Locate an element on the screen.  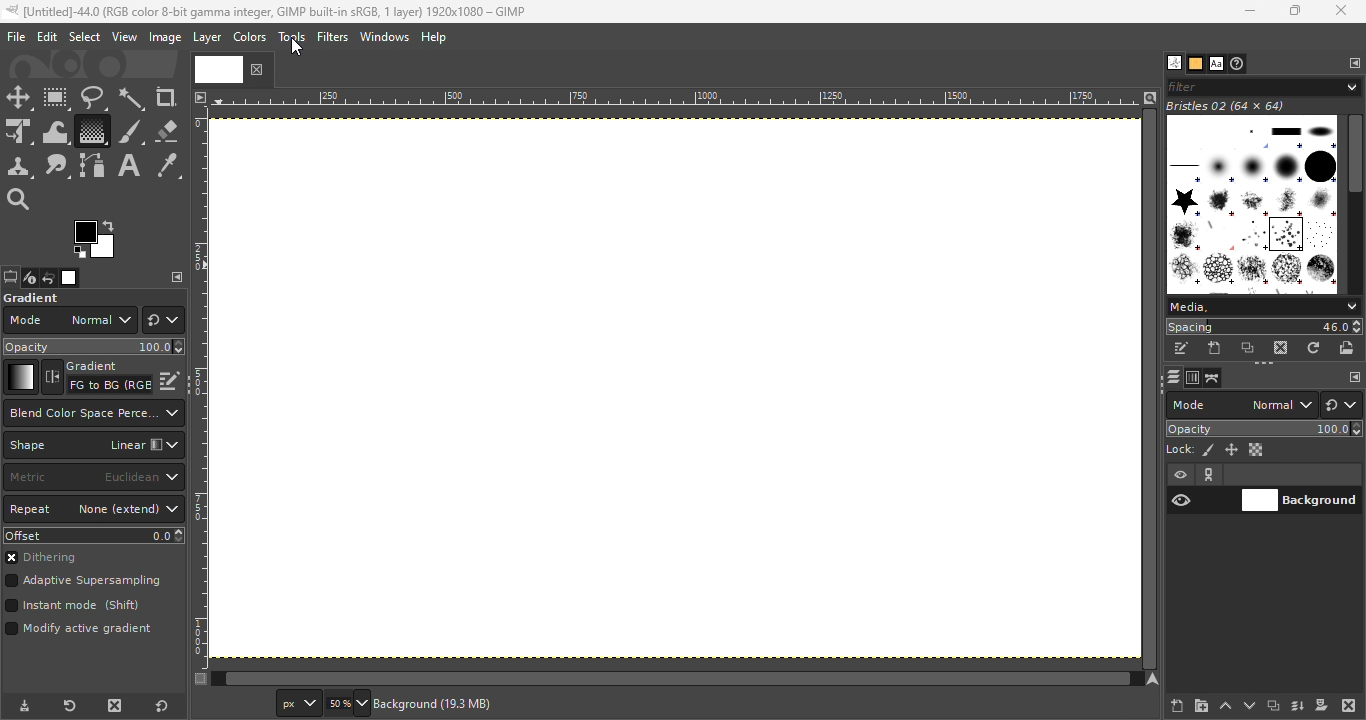
Merge this layer with the first visible layer below it is located at coordinates (1298, 706).